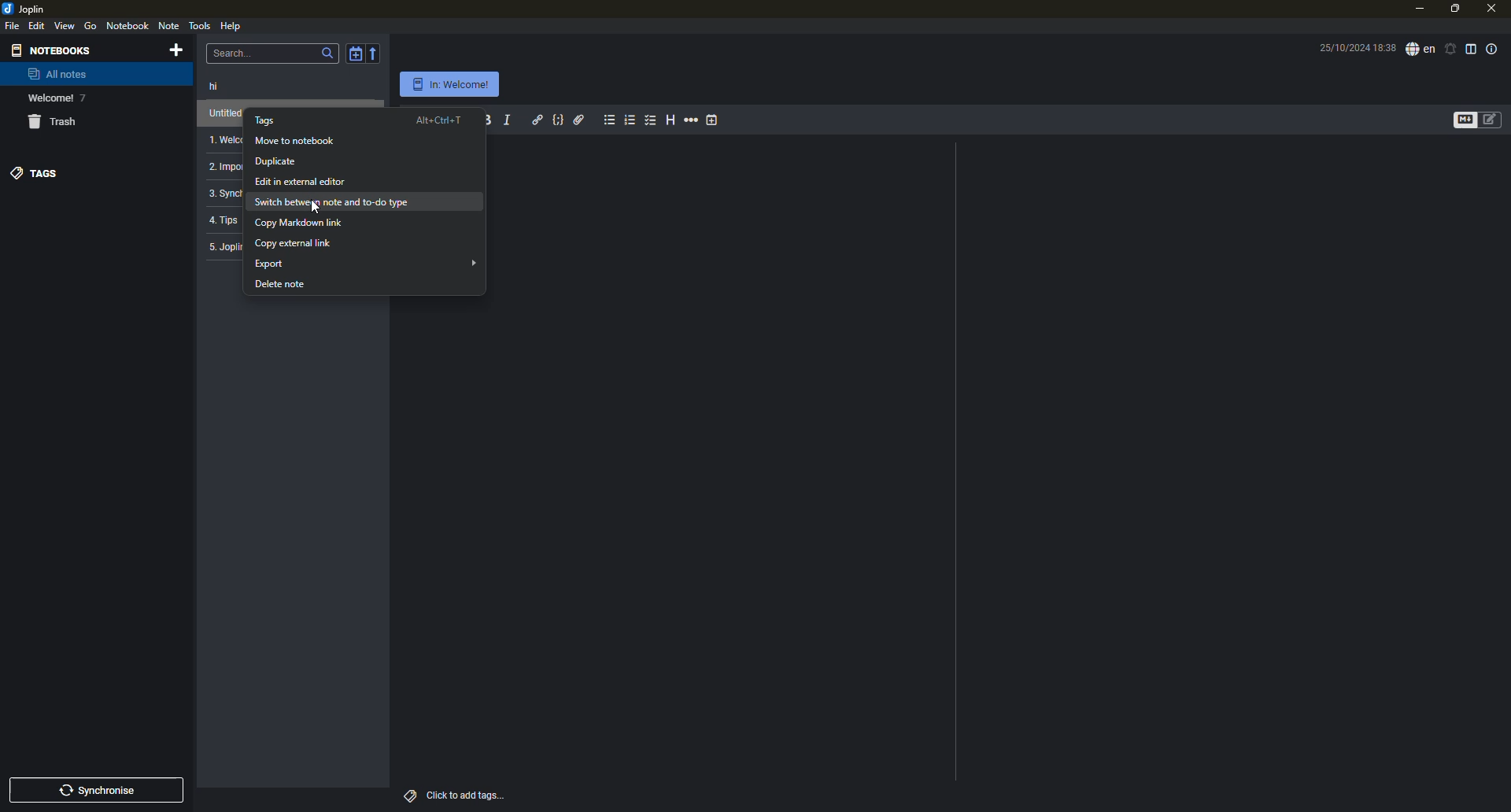 This screenshot has height=812, width=1511. I want to click on cursor, so click(316, 207).